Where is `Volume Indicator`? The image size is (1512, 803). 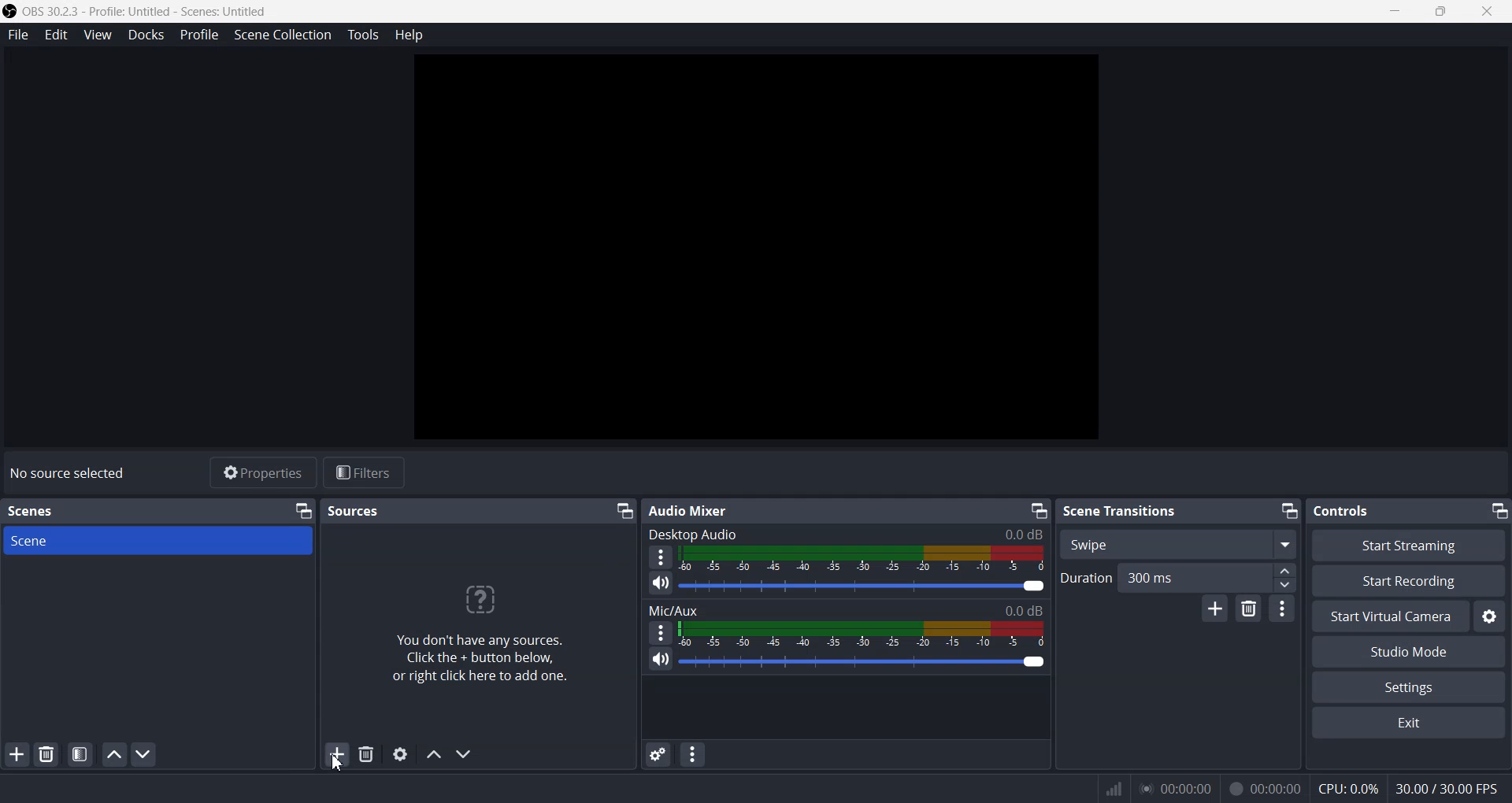 Volume Indicator is located at coordinates (861, 633).